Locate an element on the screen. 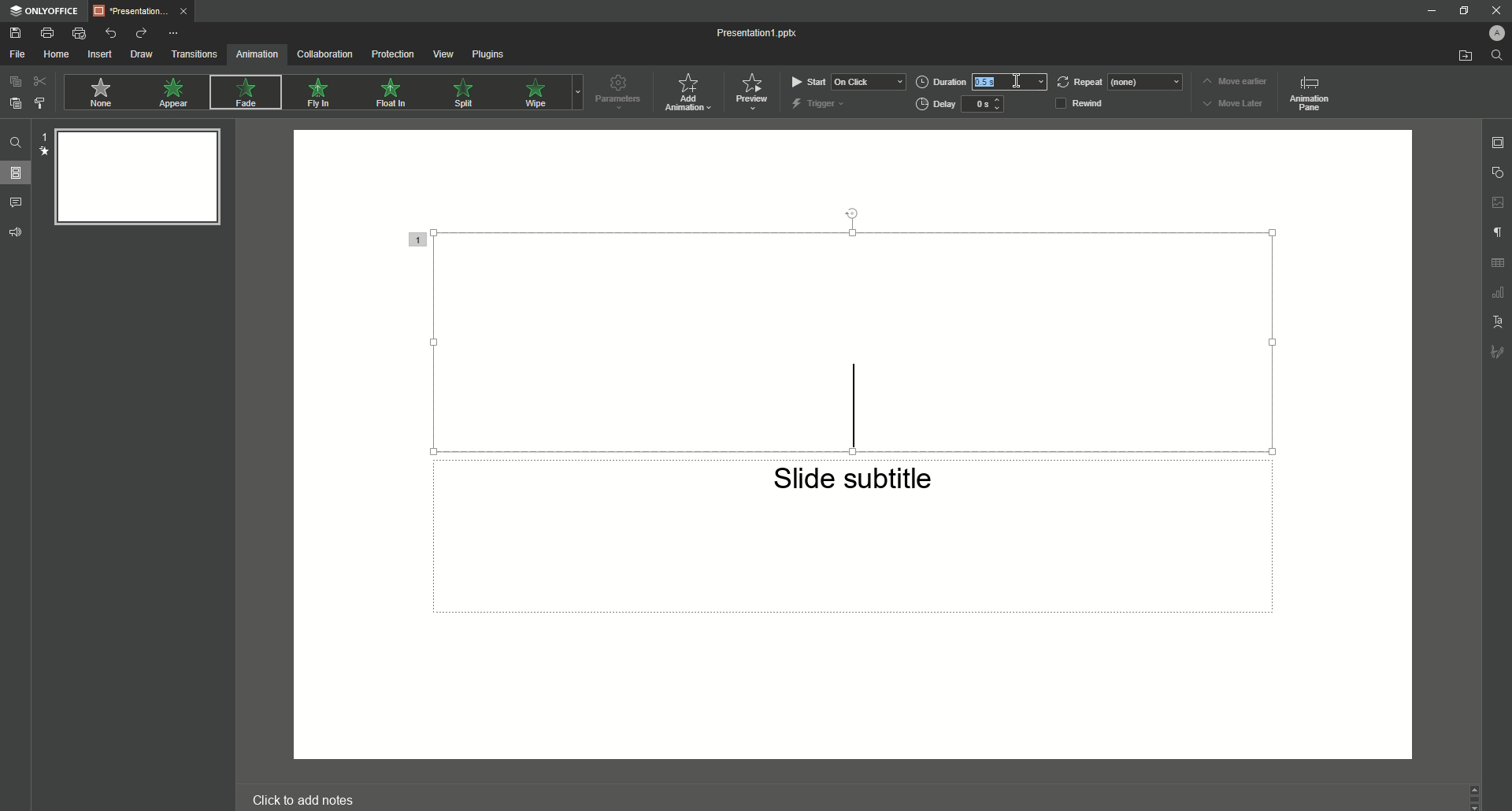 The height and width of the screenshot is (811, 1512). Copy is located at coordinates (14, 83).